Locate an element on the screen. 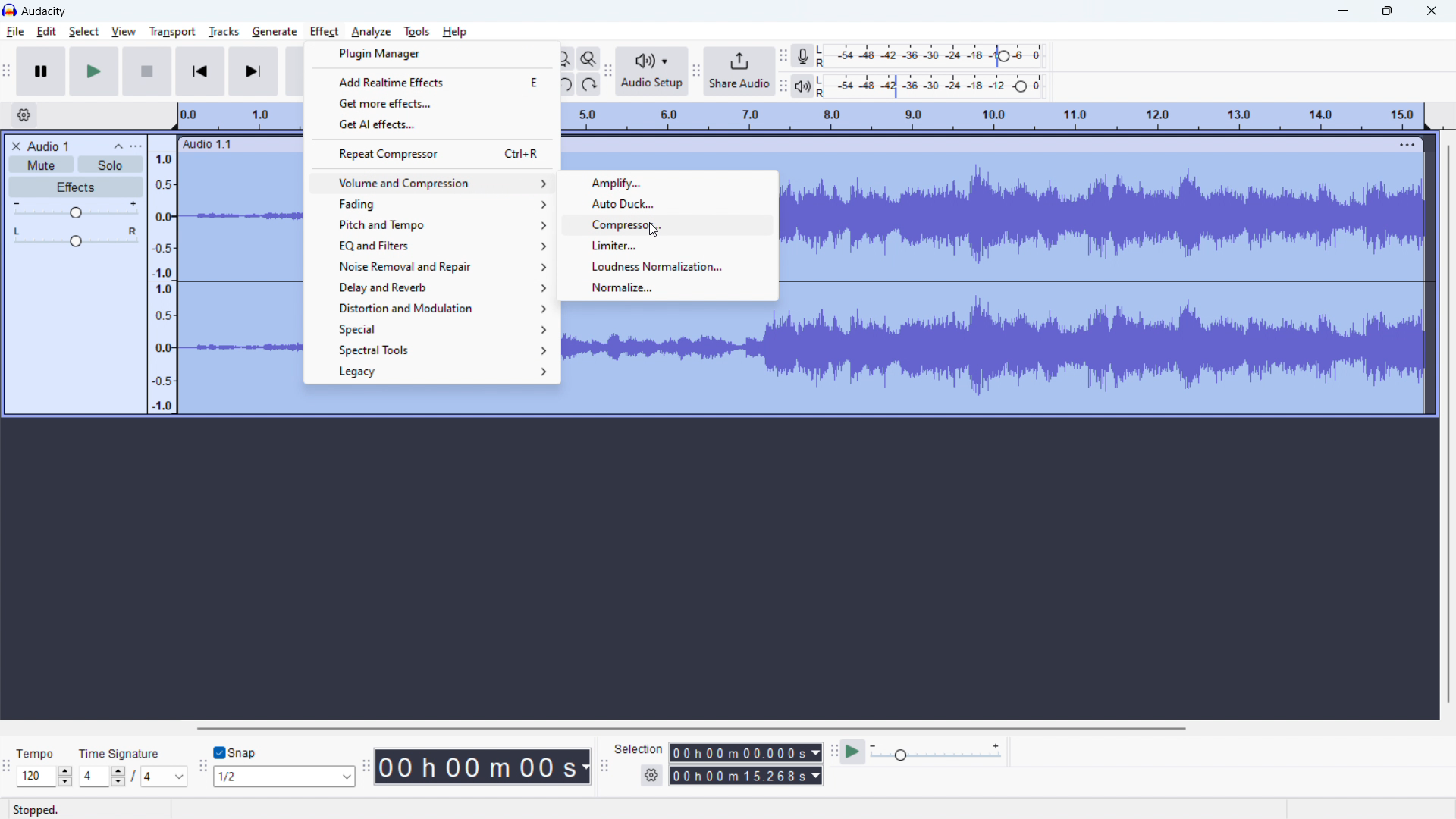 This screenshot has height=819, width=1456. audio setup is located at coordinates (651, 71).